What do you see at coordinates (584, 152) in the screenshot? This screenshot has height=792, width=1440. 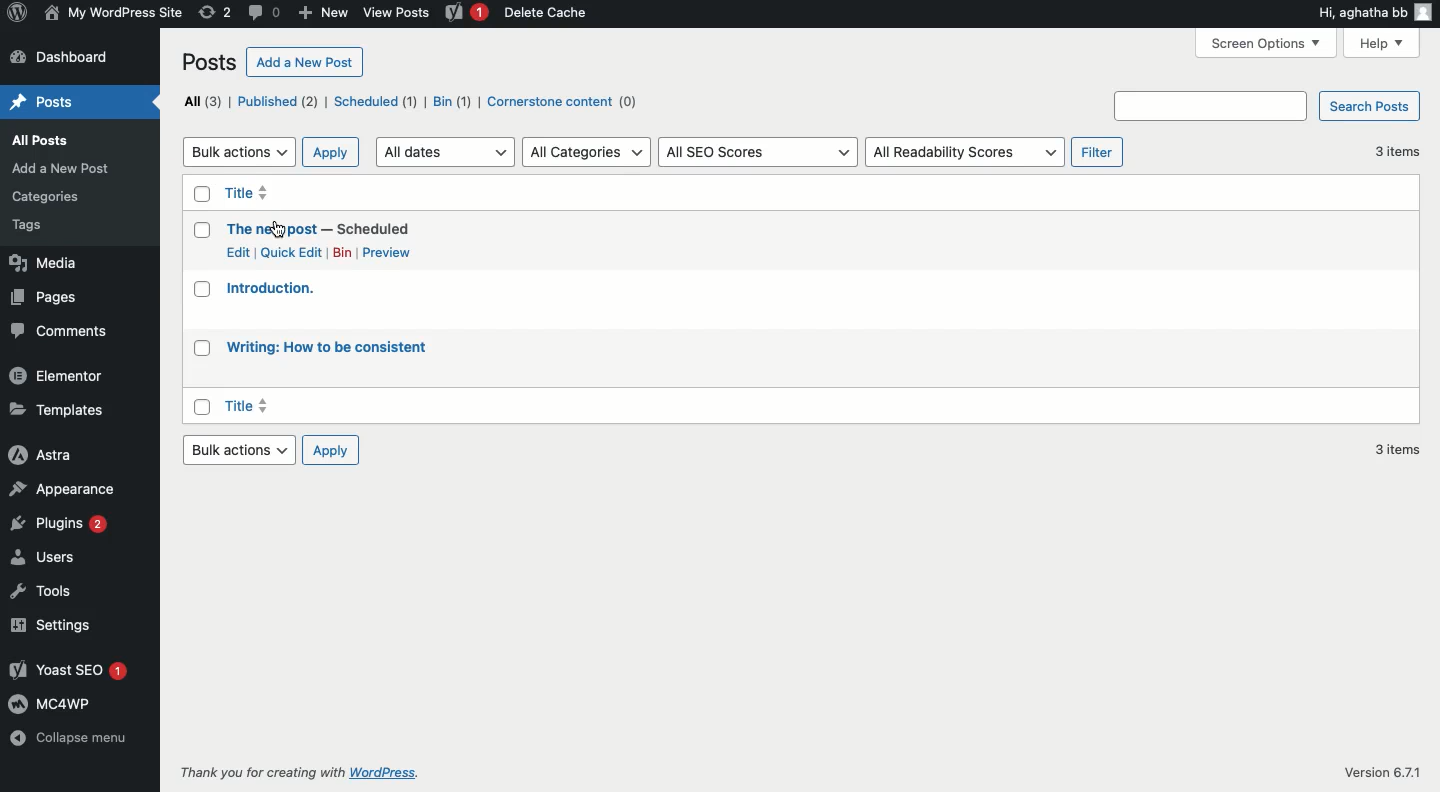 I see `All categories` at bounding box center [584, 152].